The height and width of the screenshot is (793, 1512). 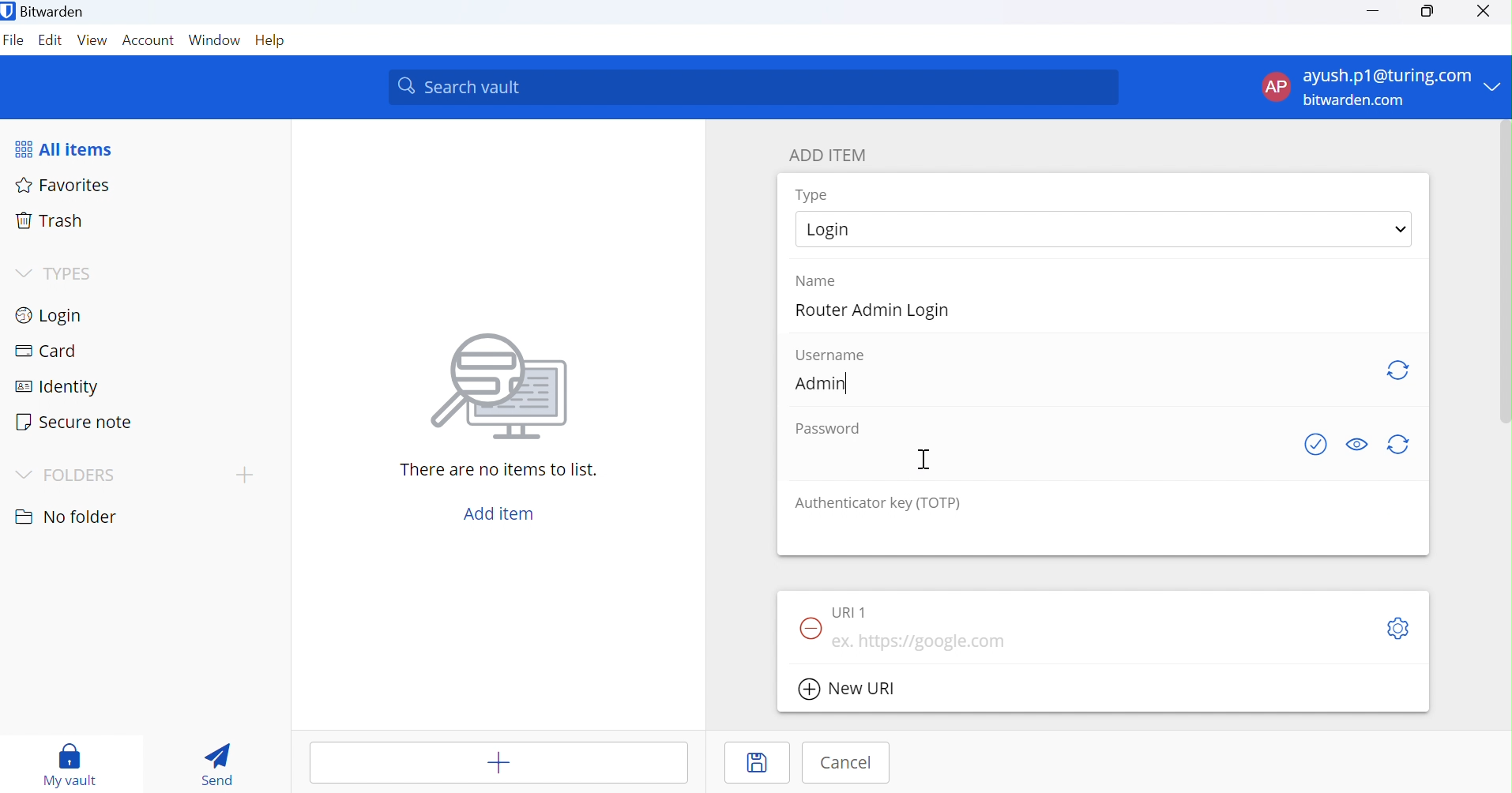 What do you see at coordinates (758, 762) in the screenshot?
I see `Save` at bounding box center [758, 762].